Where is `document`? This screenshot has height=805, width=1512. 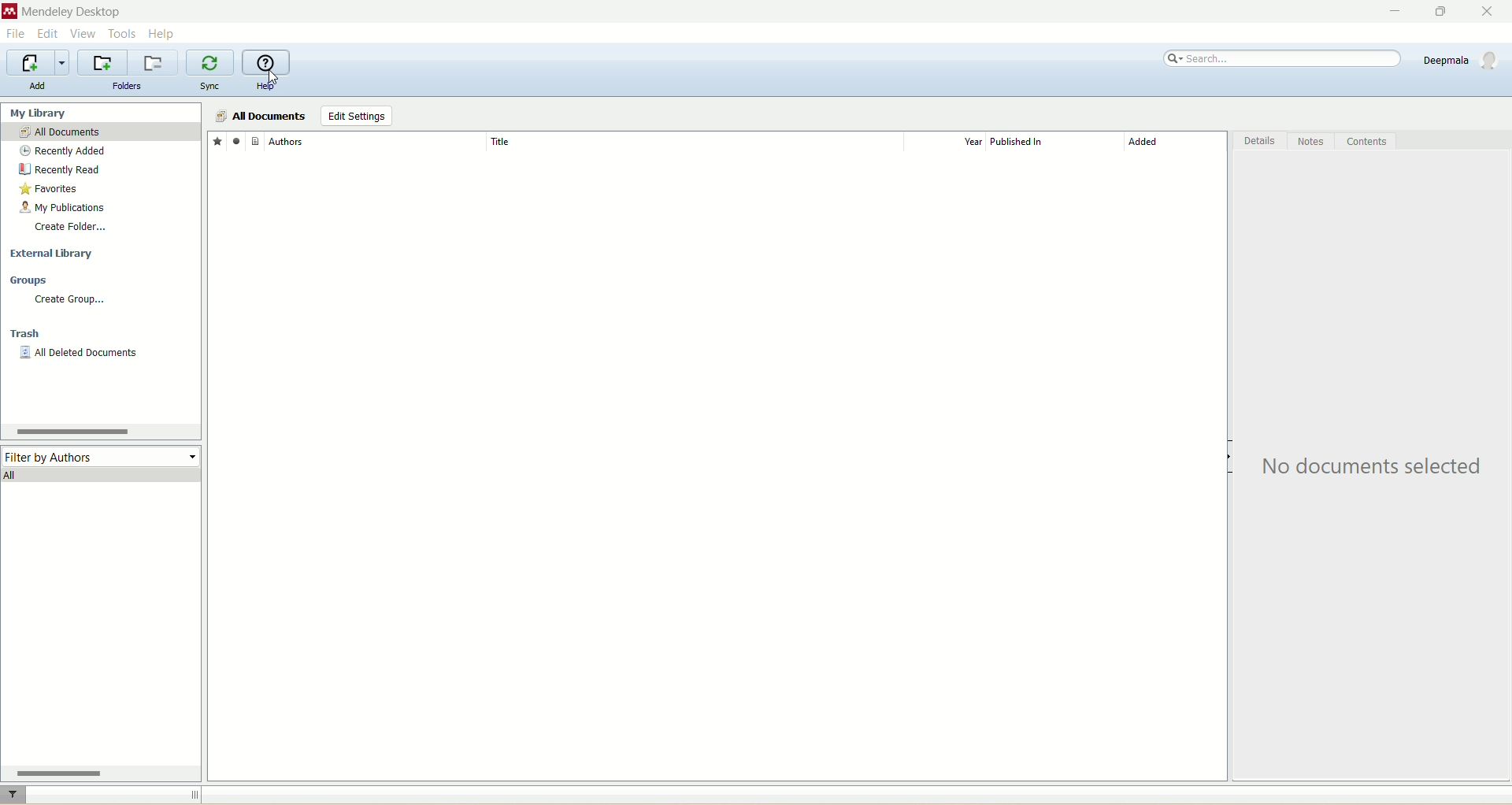 document is located at coordinates (253, 142).